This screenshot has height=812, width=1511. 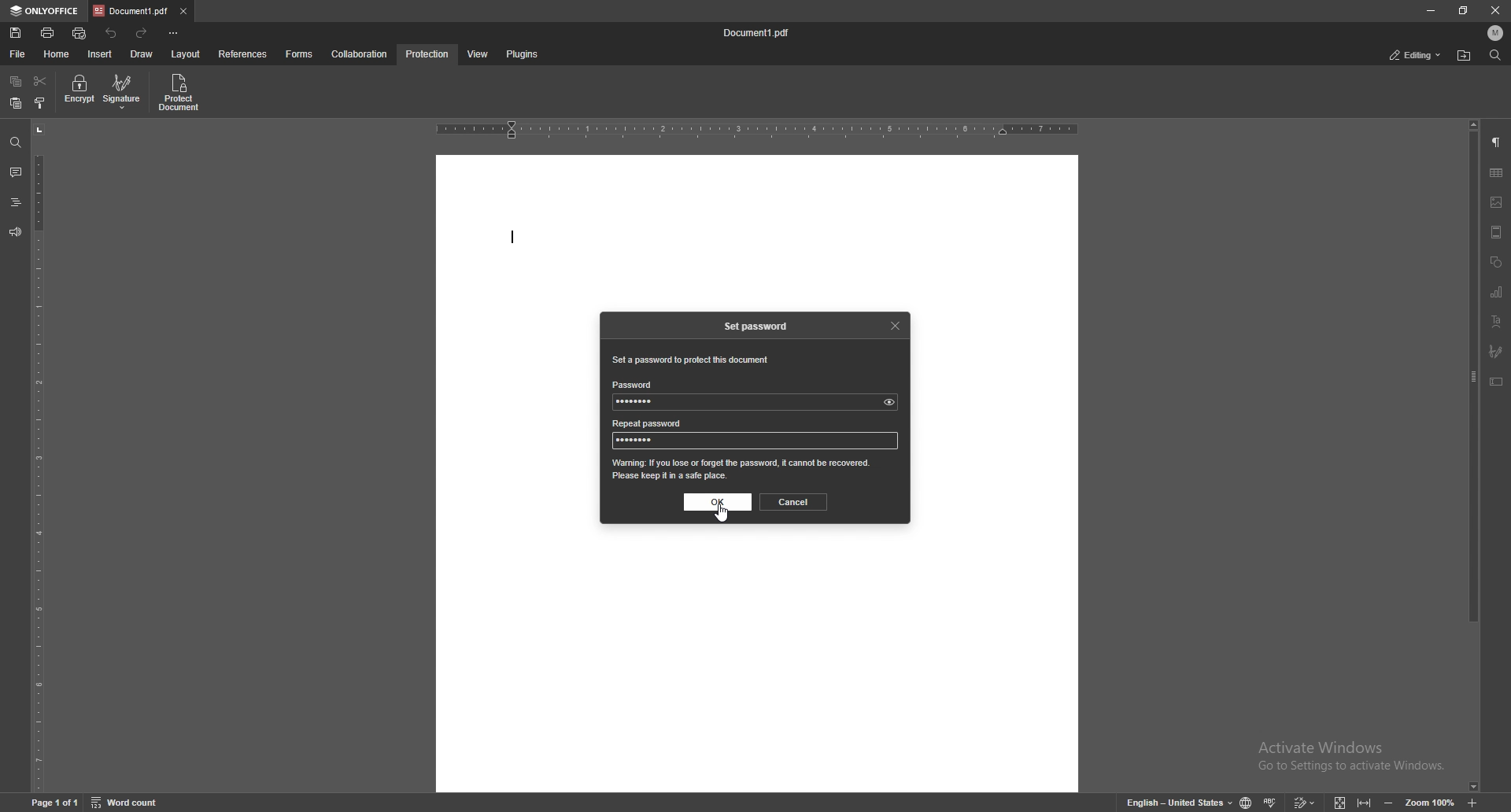 What do you see at coordinates (127, 802) in the screenshot?
I see `word count` at bounding box center [127, 802].